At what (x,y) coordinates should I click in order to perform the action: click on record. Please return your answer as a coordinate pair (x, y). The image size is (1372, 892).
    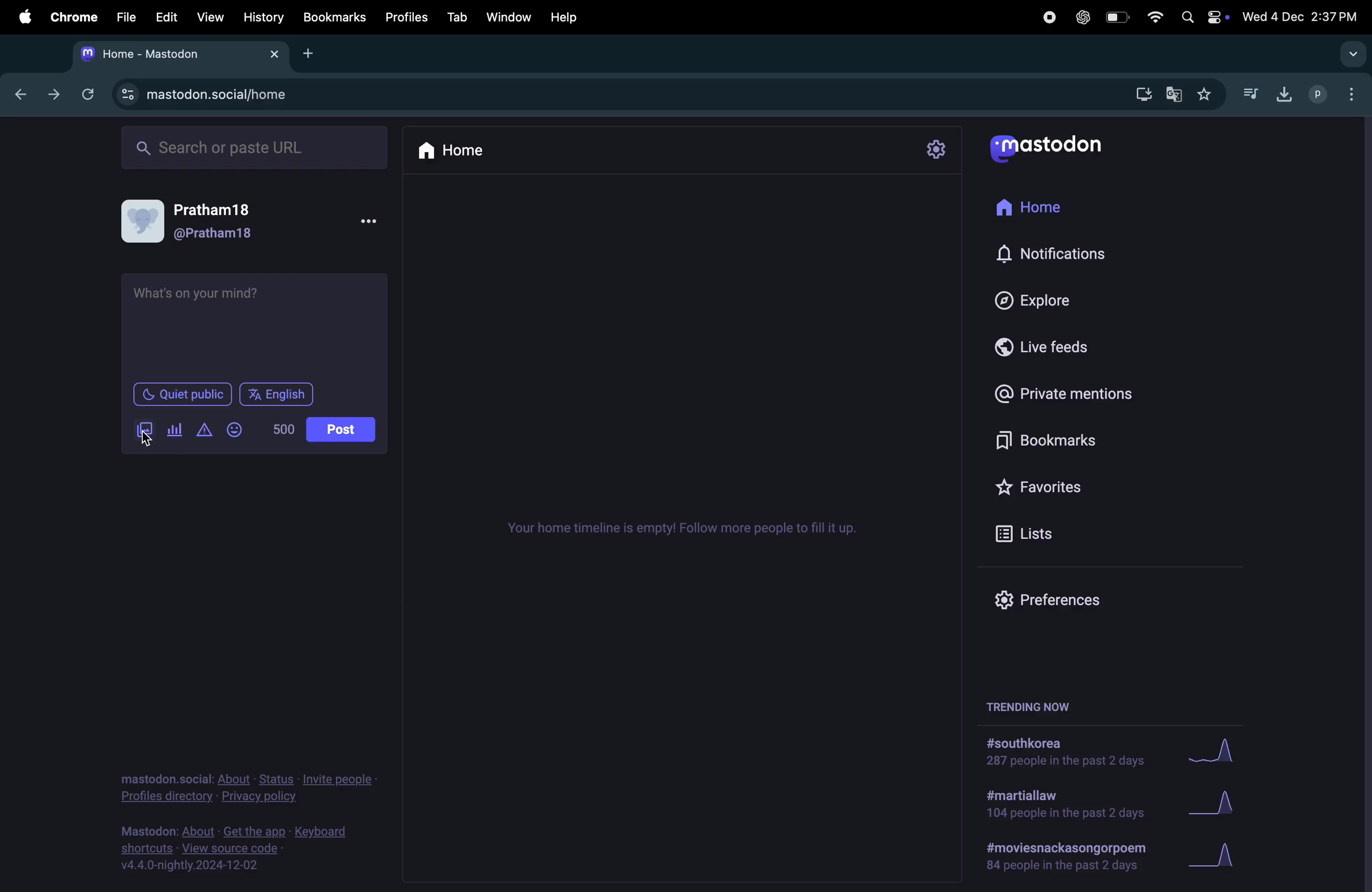
    Looking at the image, I should click on (1048, 17).